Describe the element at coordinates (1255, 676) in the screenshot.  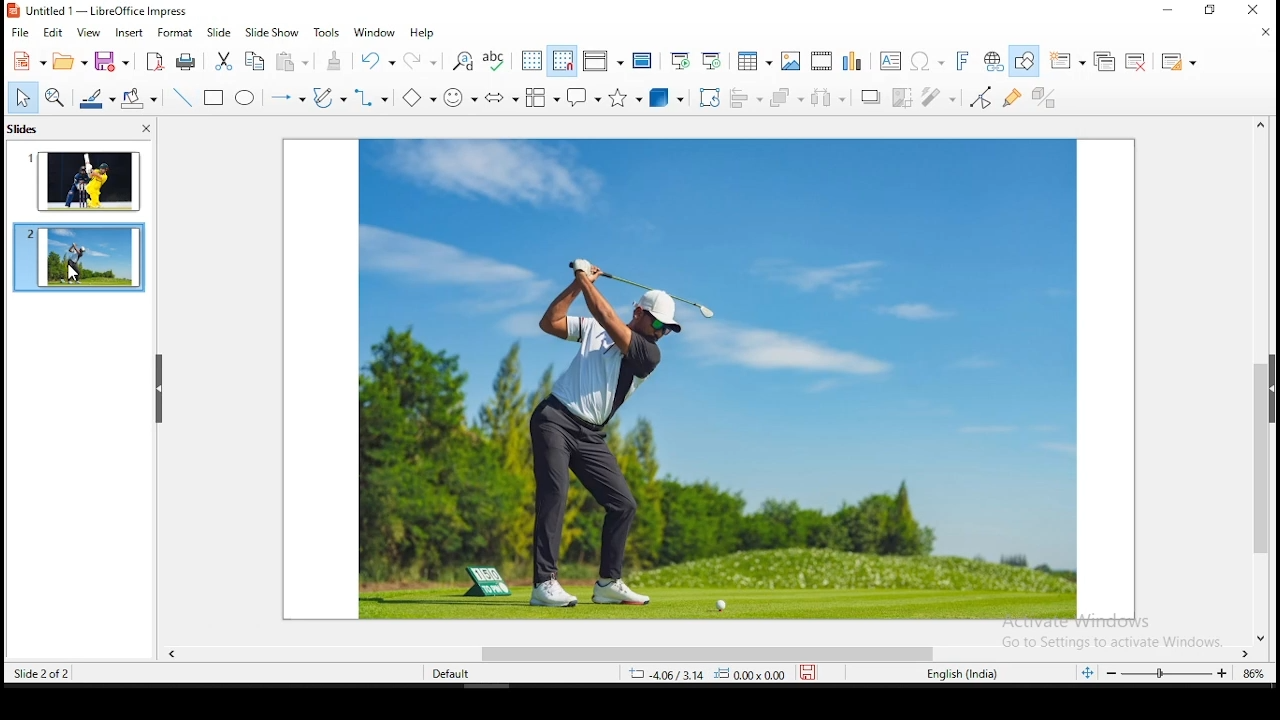
I see `zoom level` at that location.